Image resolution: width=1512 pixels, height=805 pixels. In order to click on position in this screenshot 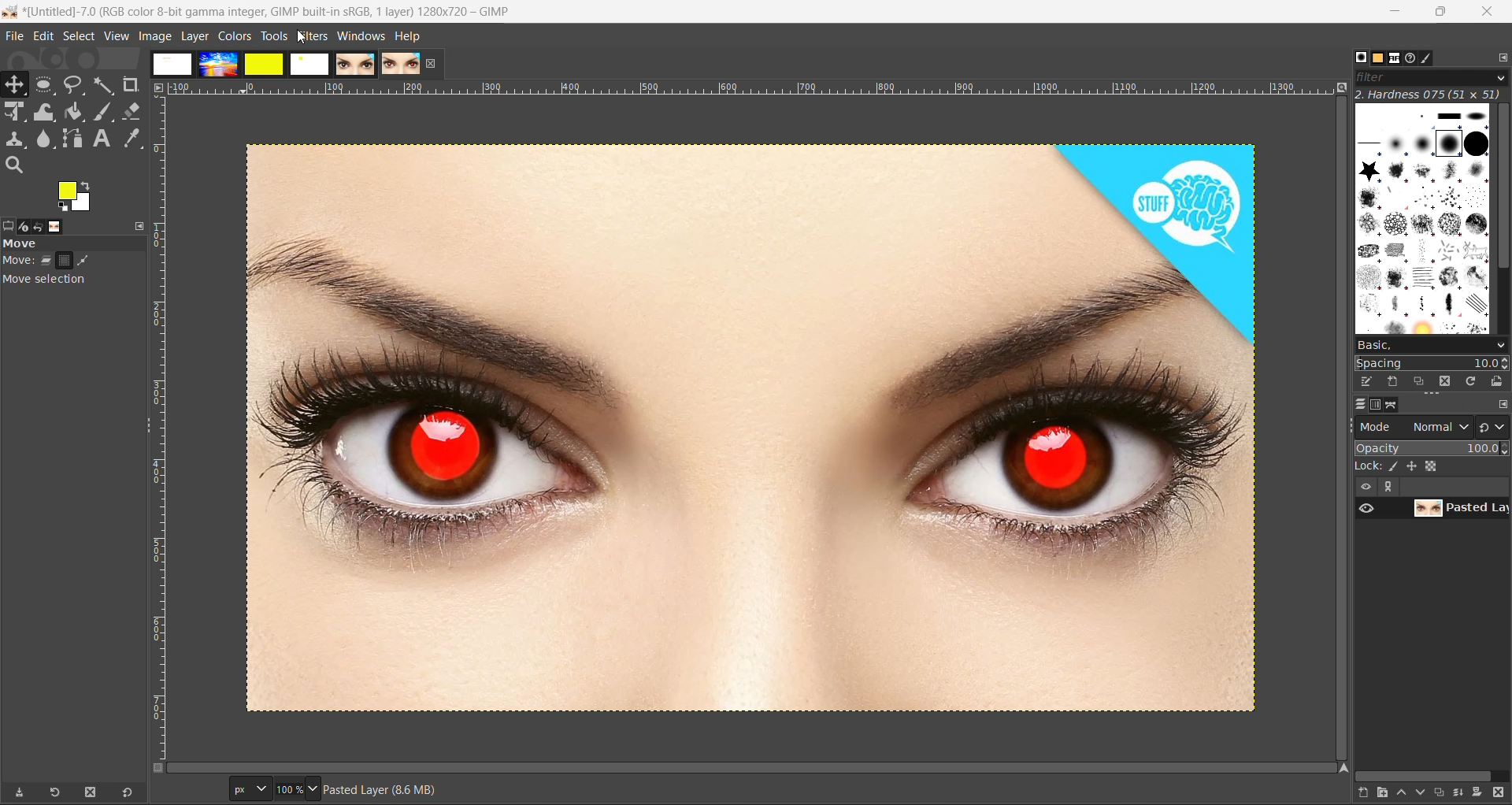, I will do `click(1414, 466)`.